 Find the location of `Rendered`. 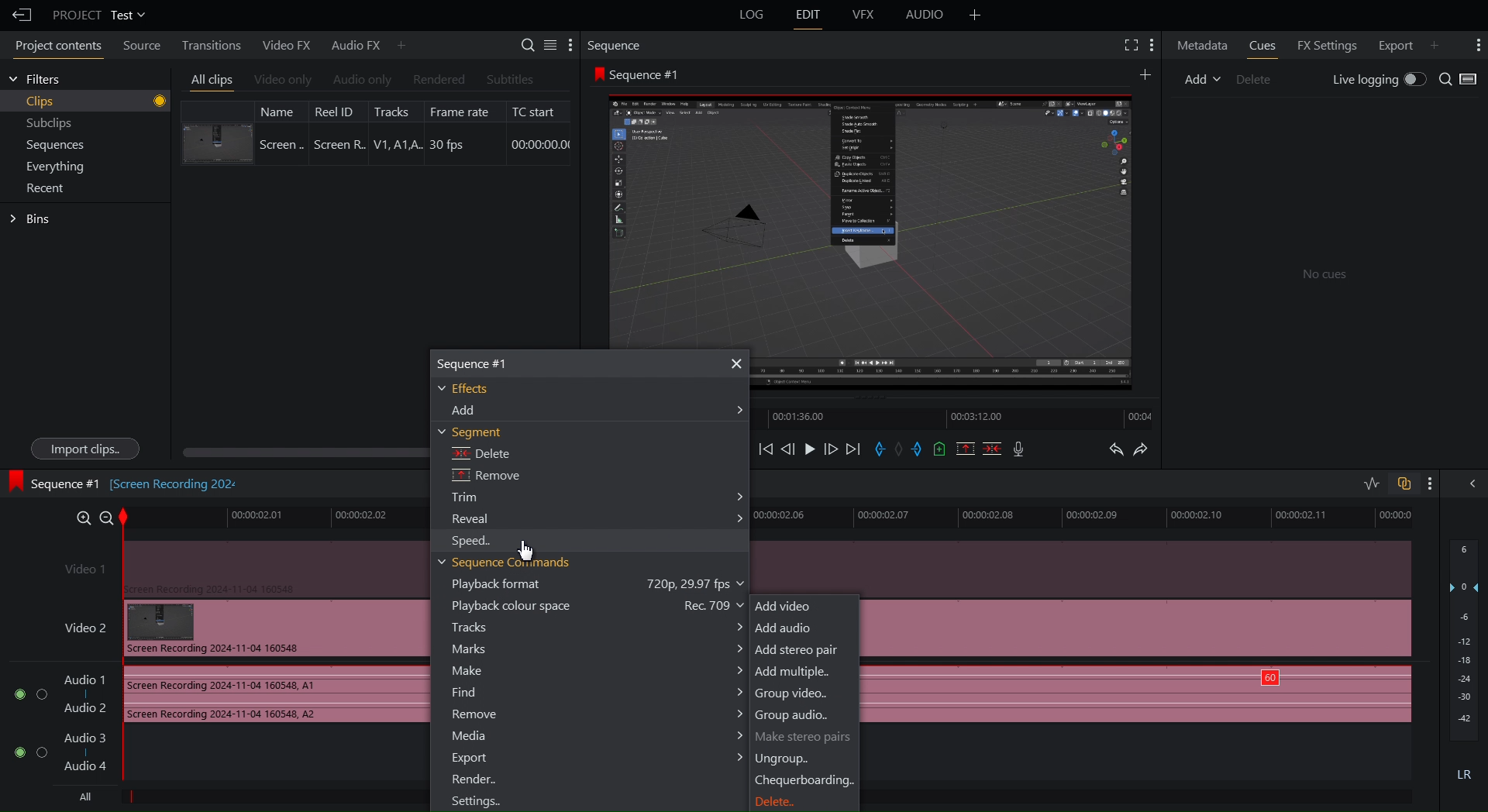

Rendered is located at coordinates (437, 80).